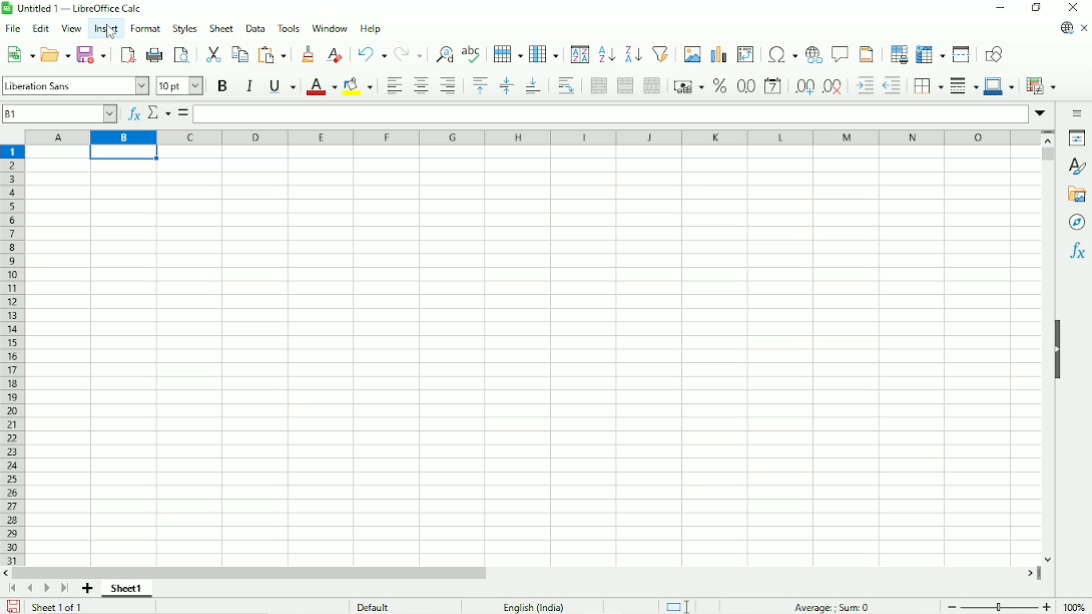 The height and width of the screenshot is (614, 1092). I want to click on Align bottom, so click(534, 86).